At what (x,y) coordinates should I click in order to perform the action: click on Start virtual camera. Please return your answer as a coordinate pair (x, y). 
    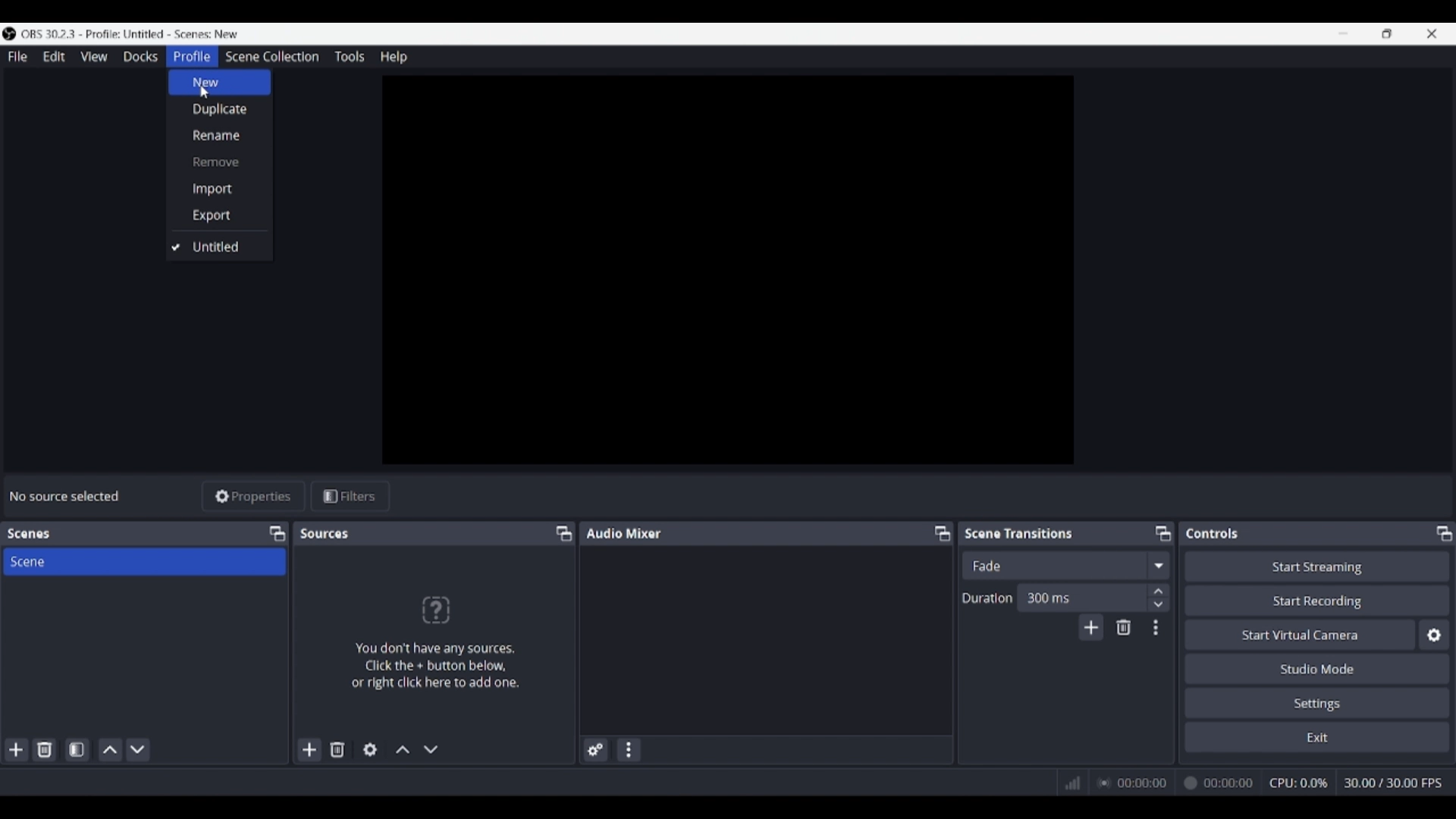
    Looking at the image, I should click on (1300, 634).